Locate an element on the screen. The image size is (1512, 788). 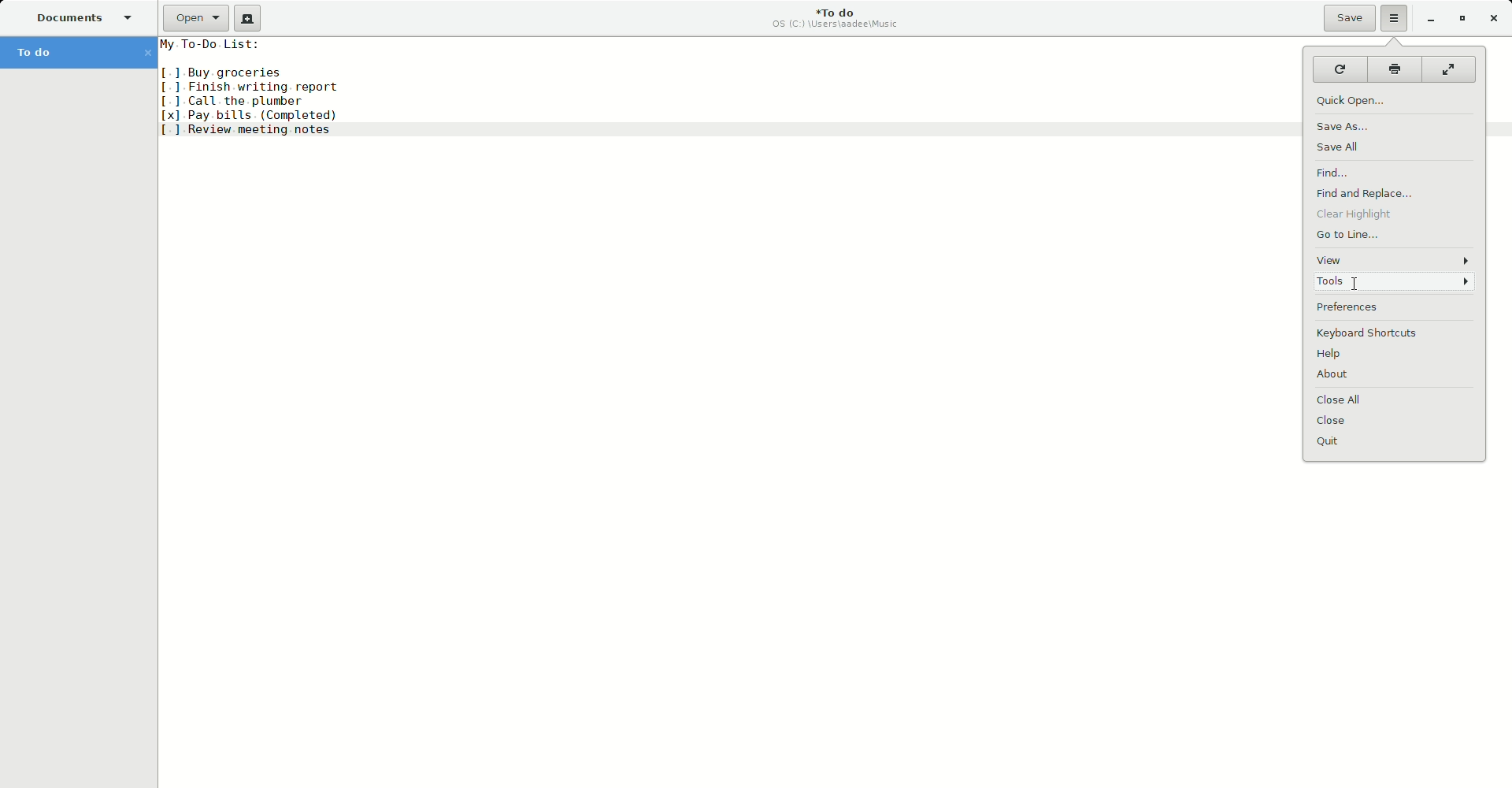
Close all is located at coordinates (1345, 400).